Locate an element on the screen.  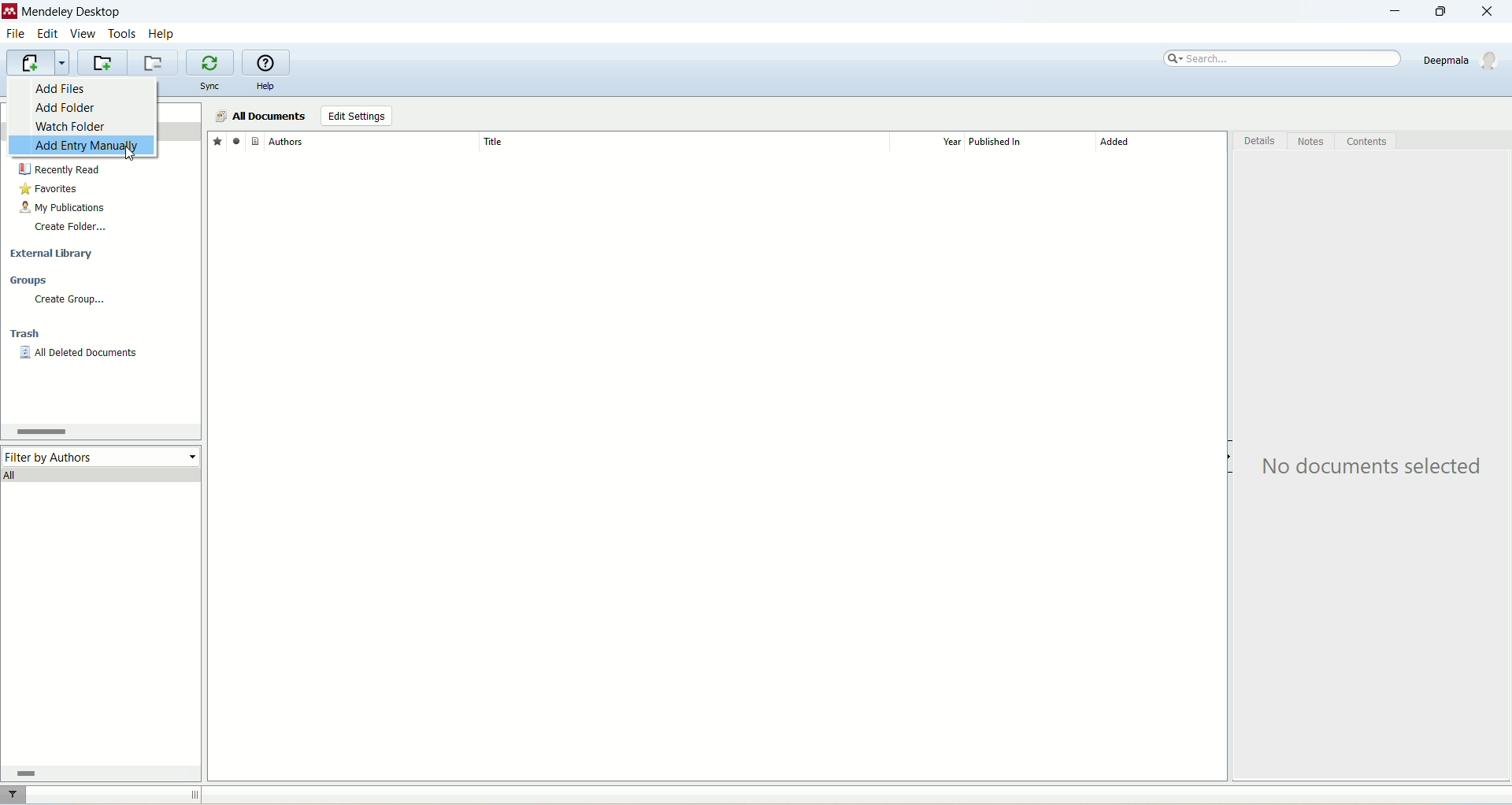
read/unread is located at coordinates (234, 140).